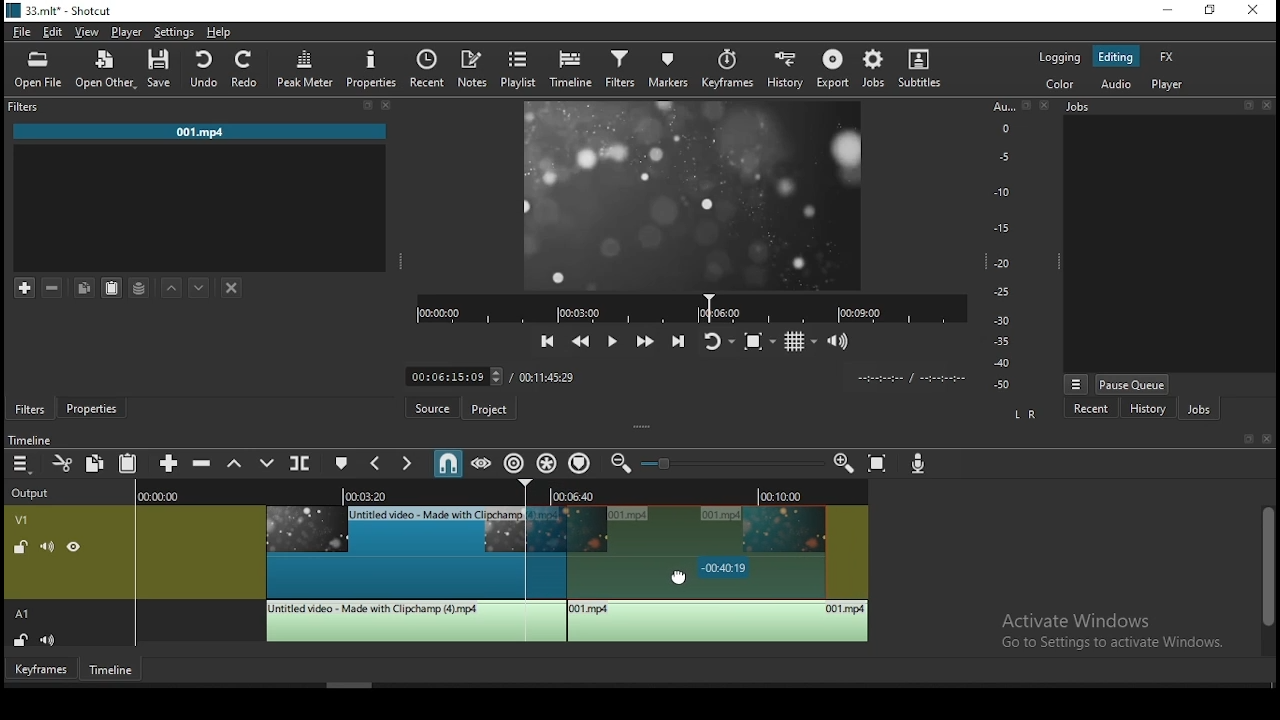 The image size is (1280, 720). Describe the element at coordinates (52, 640) in the screenshot. I see `(un)mute` at that location.